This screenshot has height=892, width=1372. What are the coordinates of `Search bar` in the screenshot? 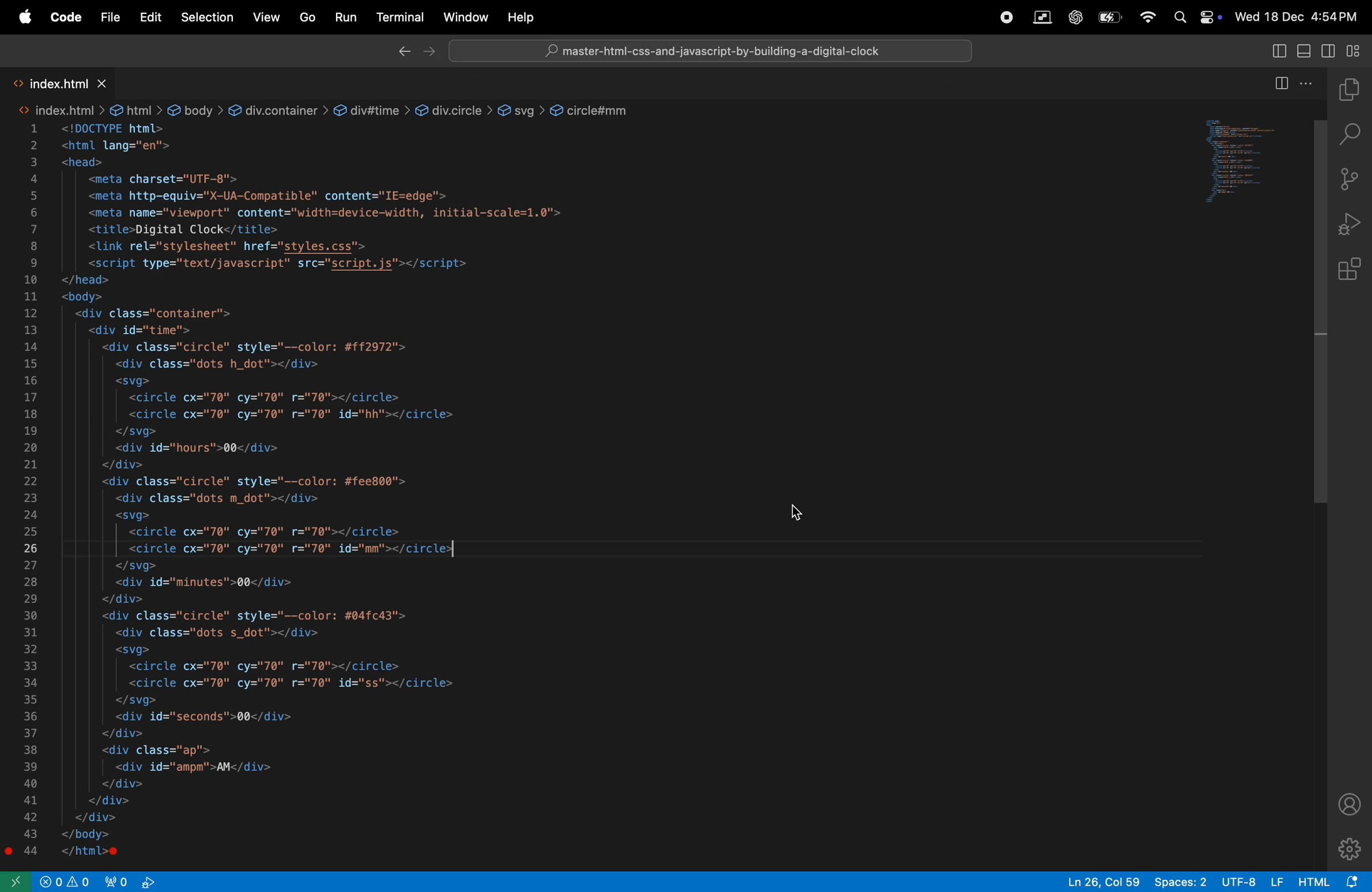 It's located at (711, 50).